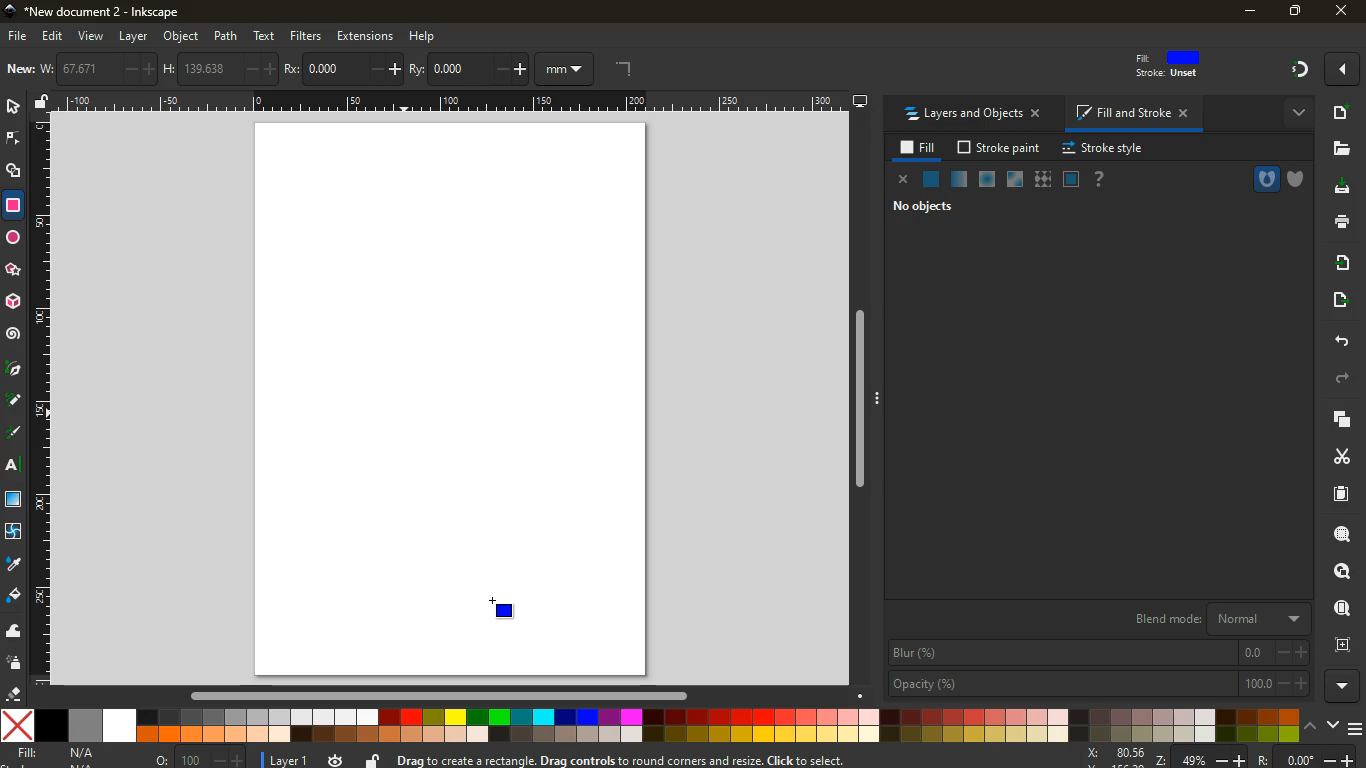  I want to click on frame, so click(1344, 646).